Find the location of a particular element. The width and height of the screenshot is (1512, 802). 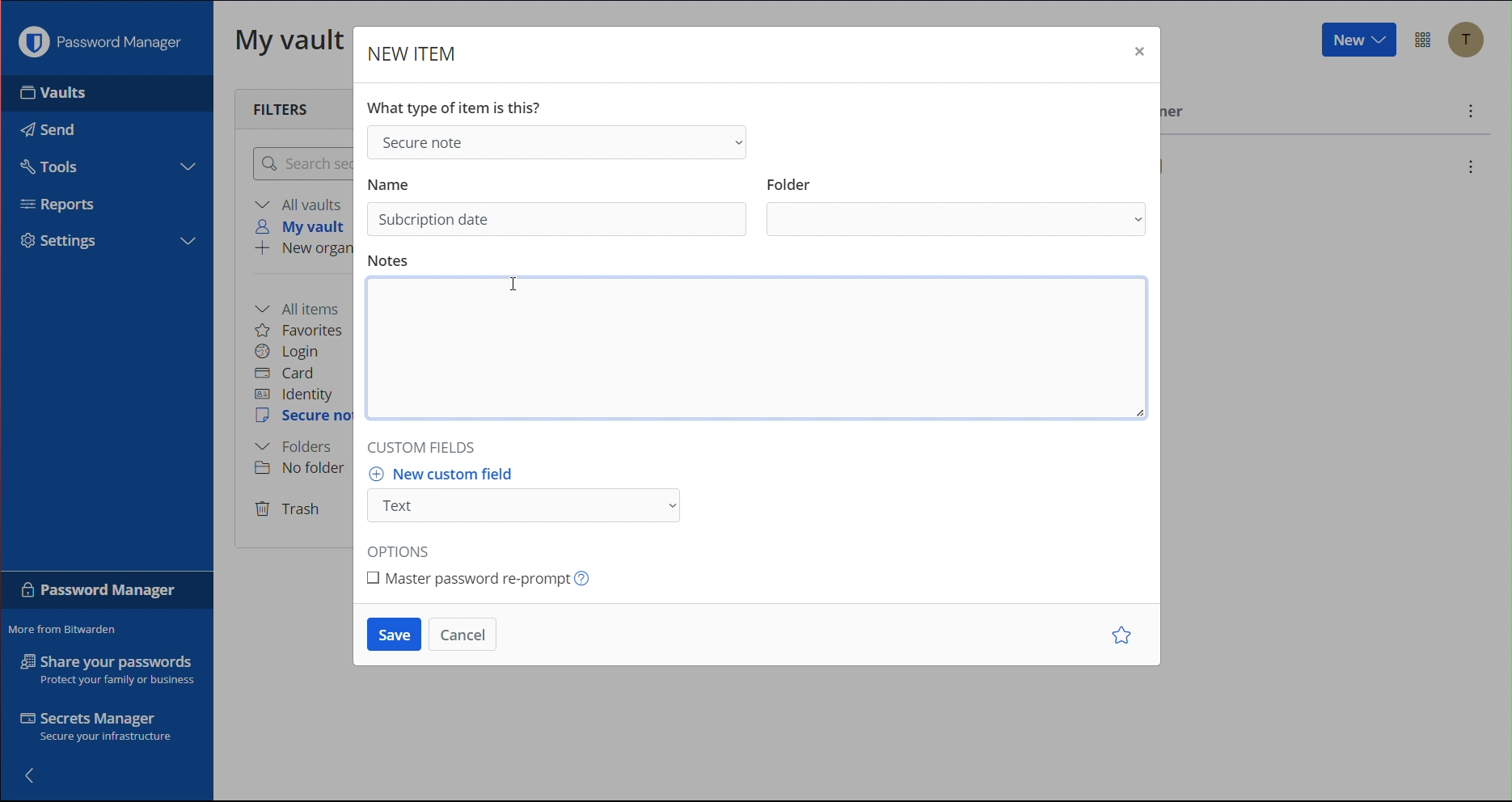

Notes is located at coordinates (391, 261).